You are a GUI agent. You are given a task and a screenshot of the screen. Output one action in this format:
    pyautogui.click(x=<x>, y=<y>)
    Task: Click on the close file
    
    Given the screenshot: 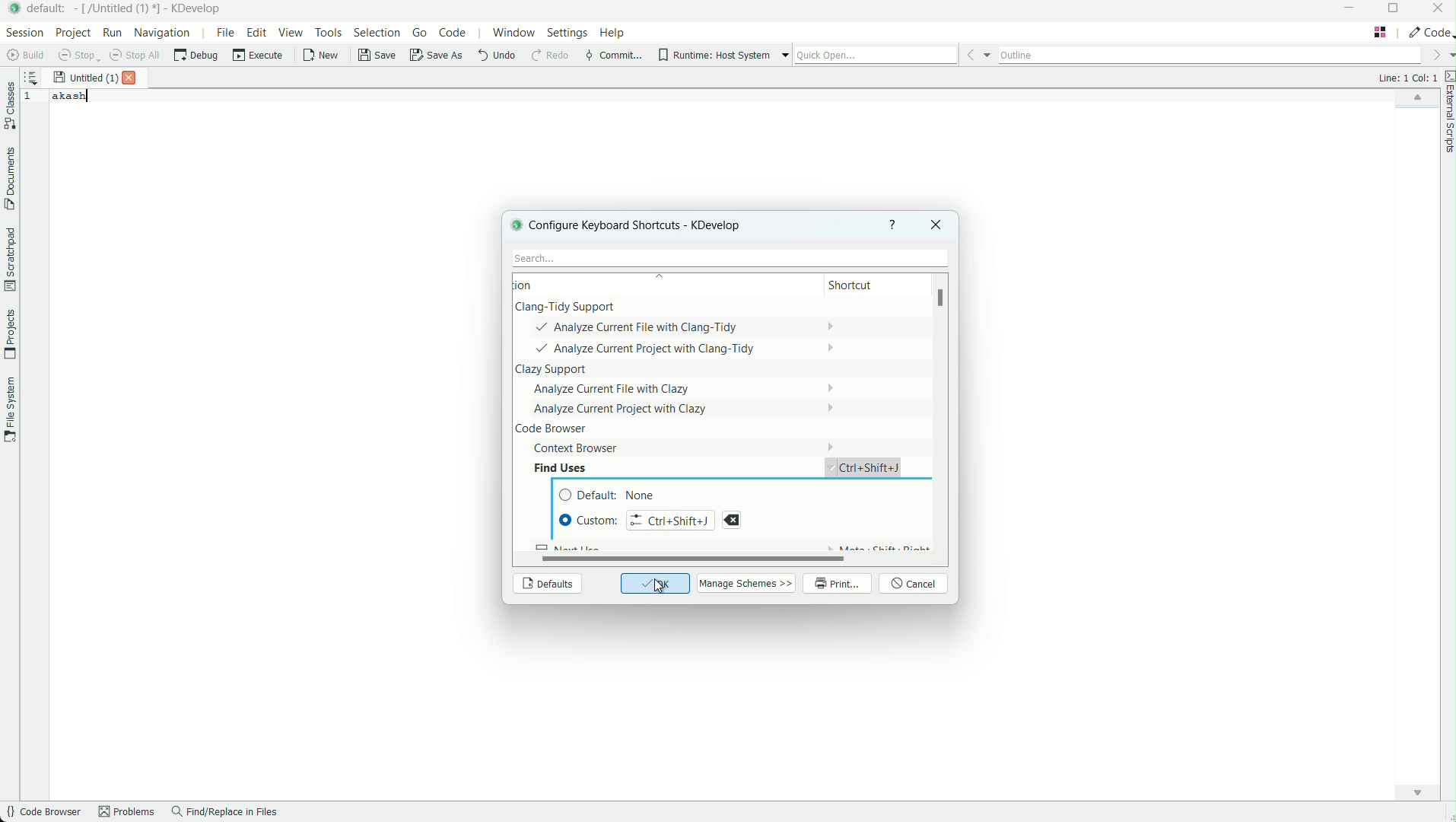 What is the action you would take?
    pyautogui.click(x=133, y=78)
    